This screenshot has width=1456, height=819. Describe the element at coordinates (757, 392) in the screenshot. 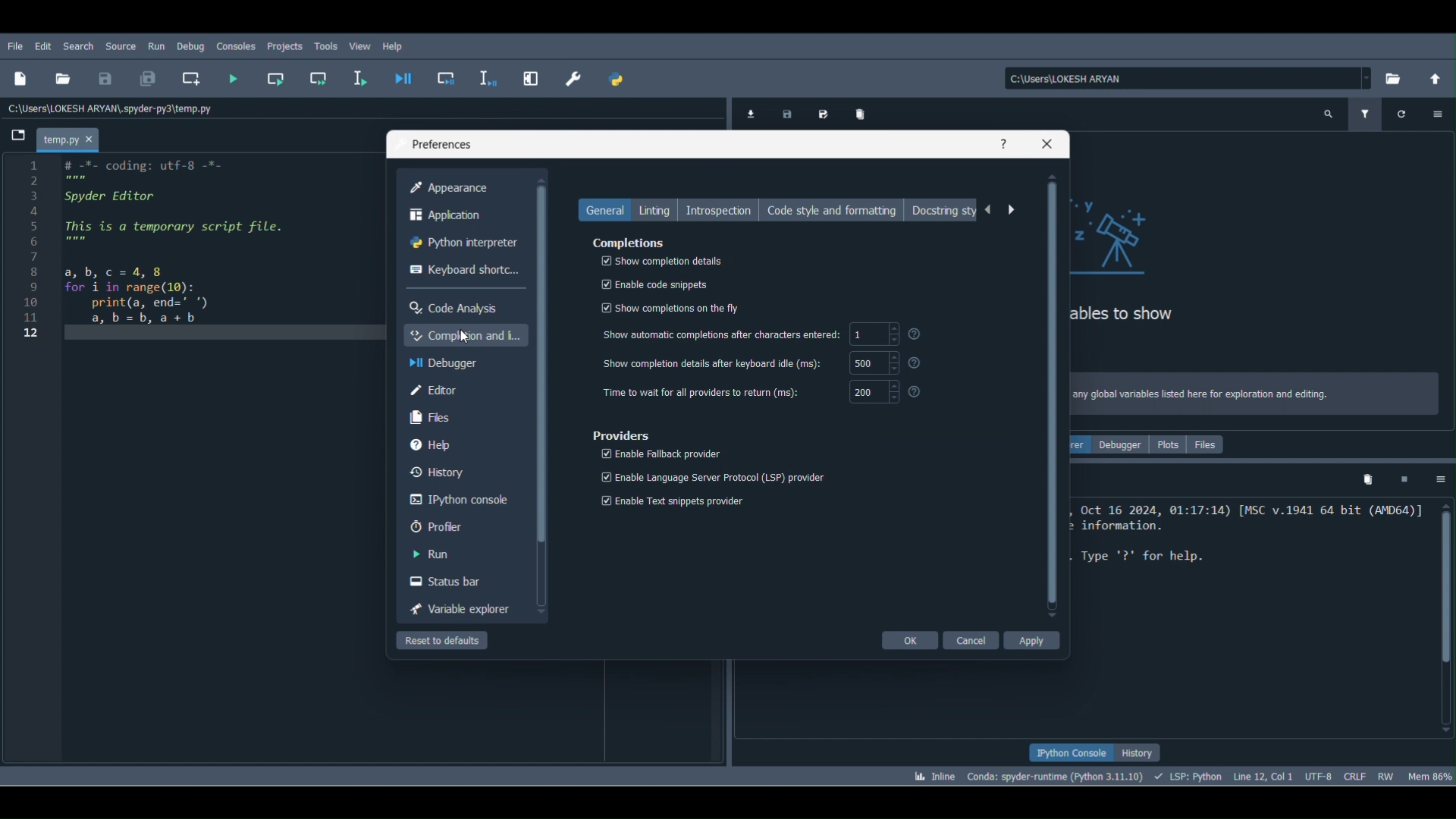

I see `Time to wait` at that location.